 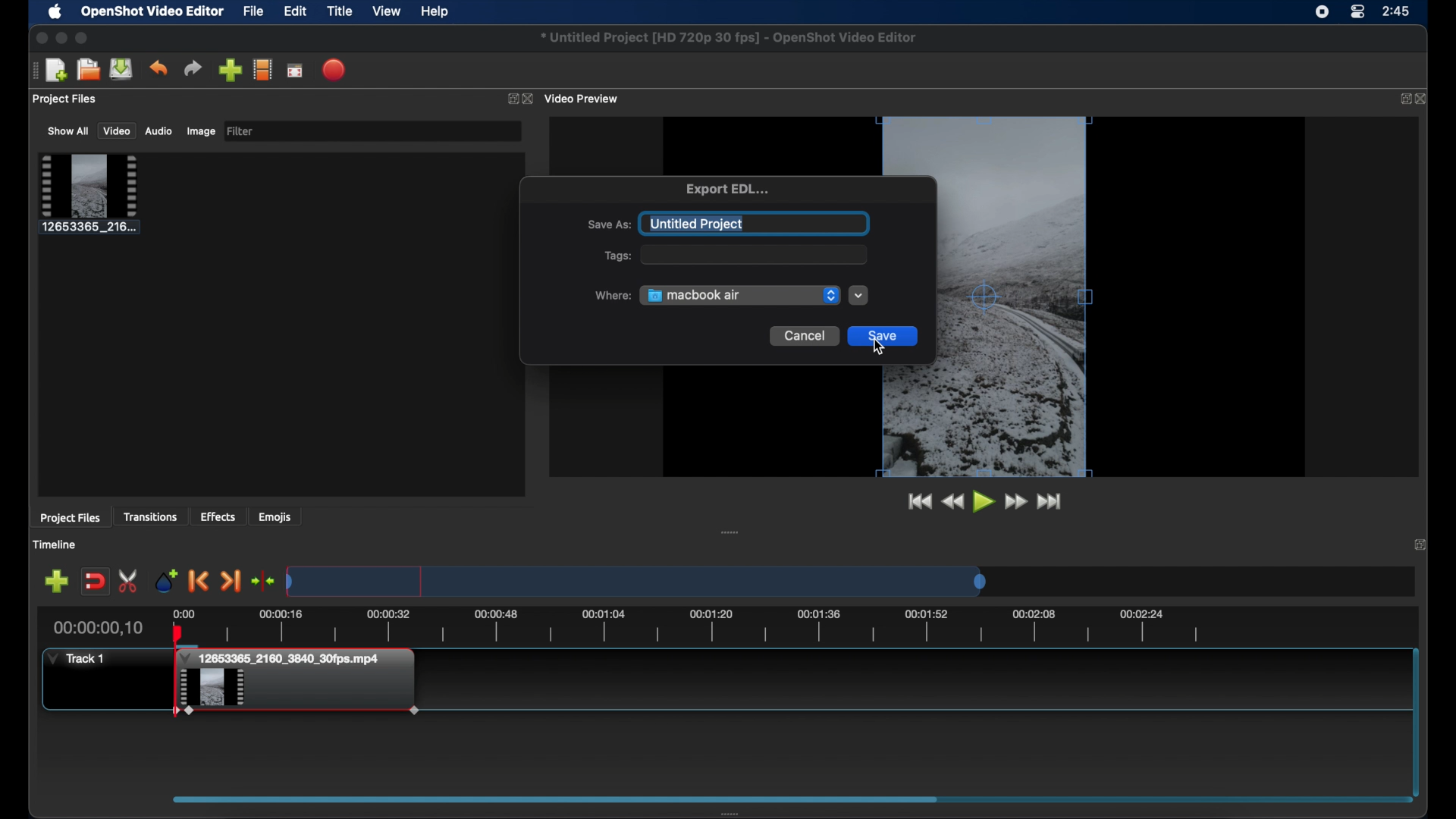 I want to click on empty field, so click(x=753, y=253).